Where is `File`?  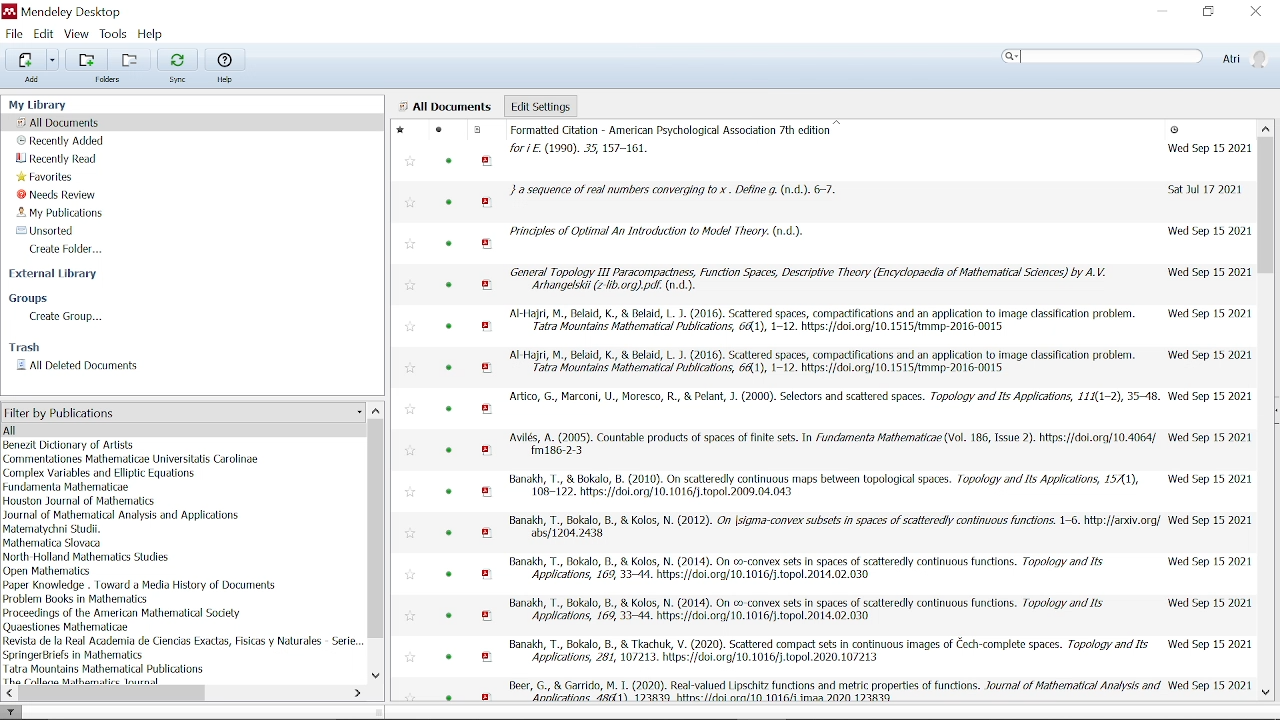
File is located at coordinates (15, 33).